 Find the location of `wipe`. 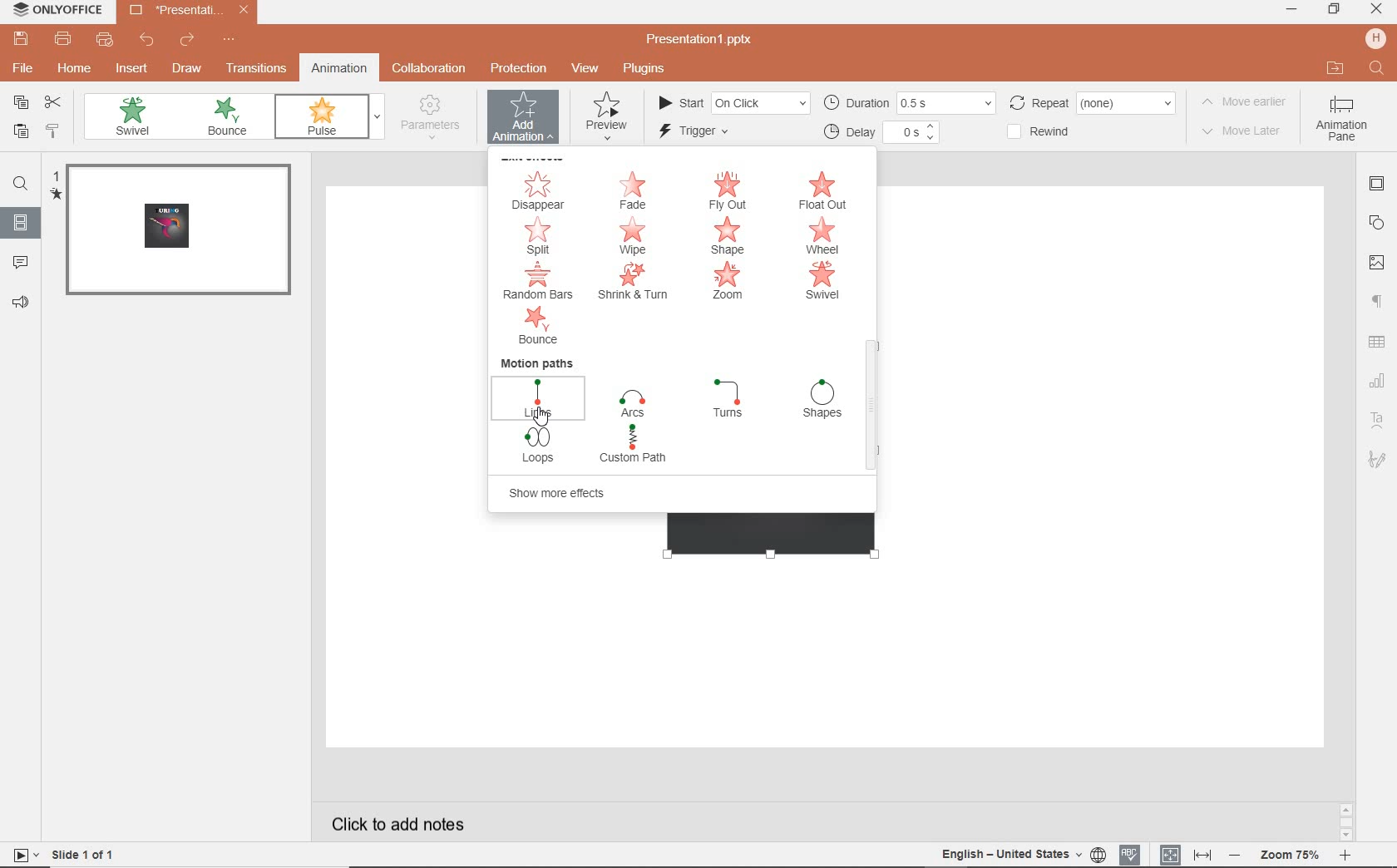

wipe is located at coordinates (637, 237).